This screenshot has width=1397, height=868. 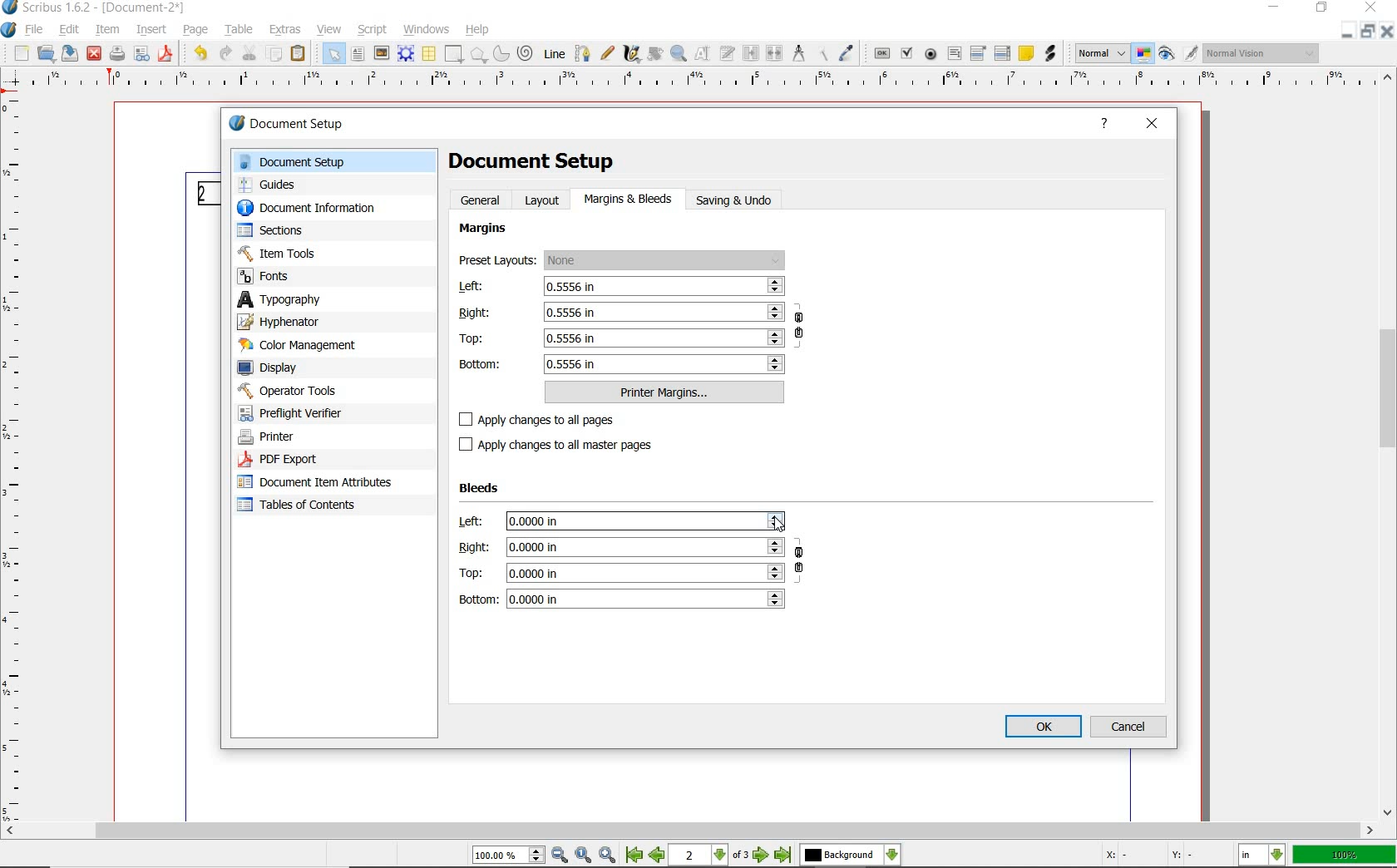 What do you see at coordinates (823, 55) in the screenshot?
I see `copy item properties` at bounding box center [823, 55].